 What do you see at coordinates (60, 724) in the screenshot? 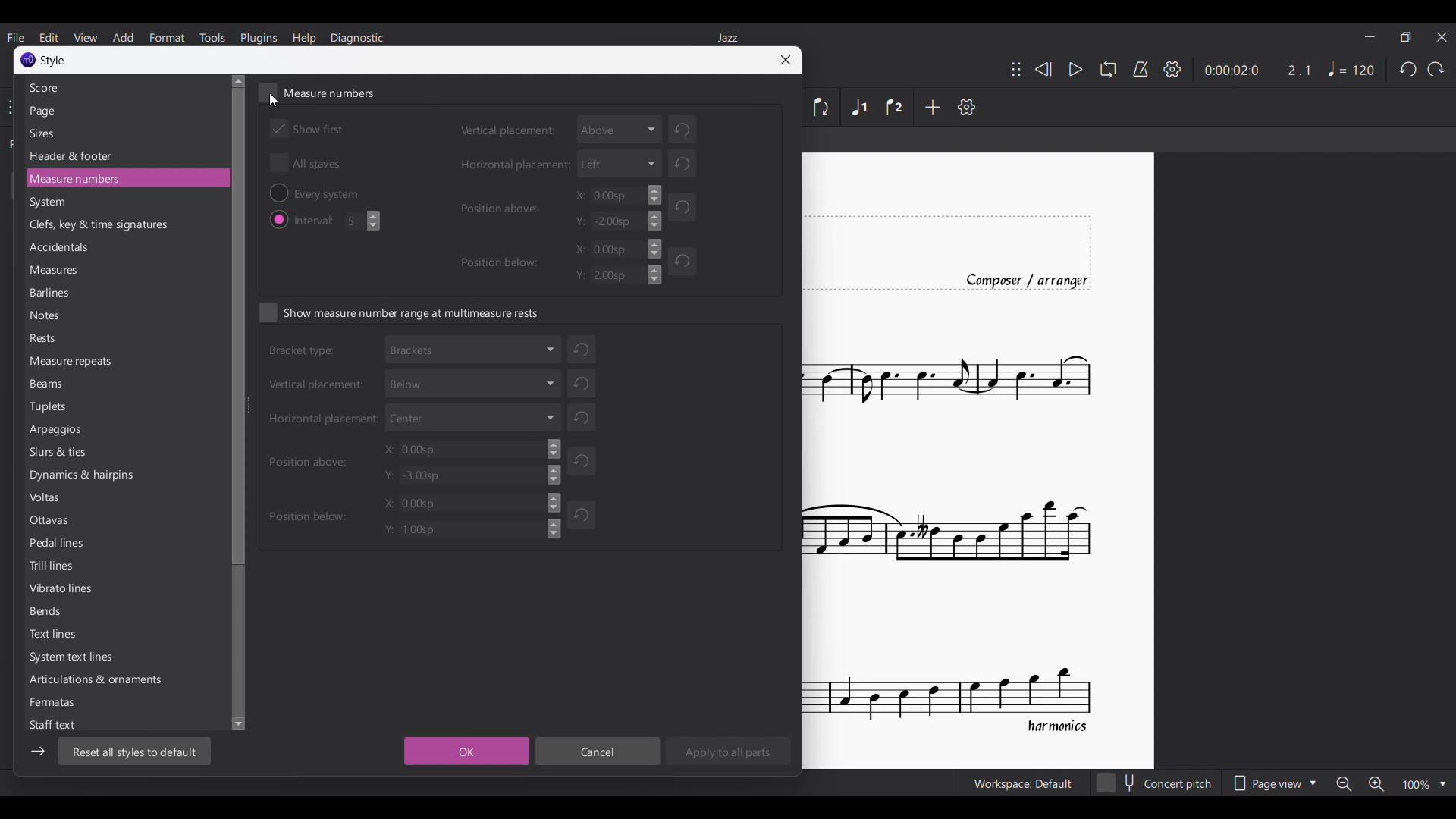
I see `STAFF` at bounding box center [60, 724].